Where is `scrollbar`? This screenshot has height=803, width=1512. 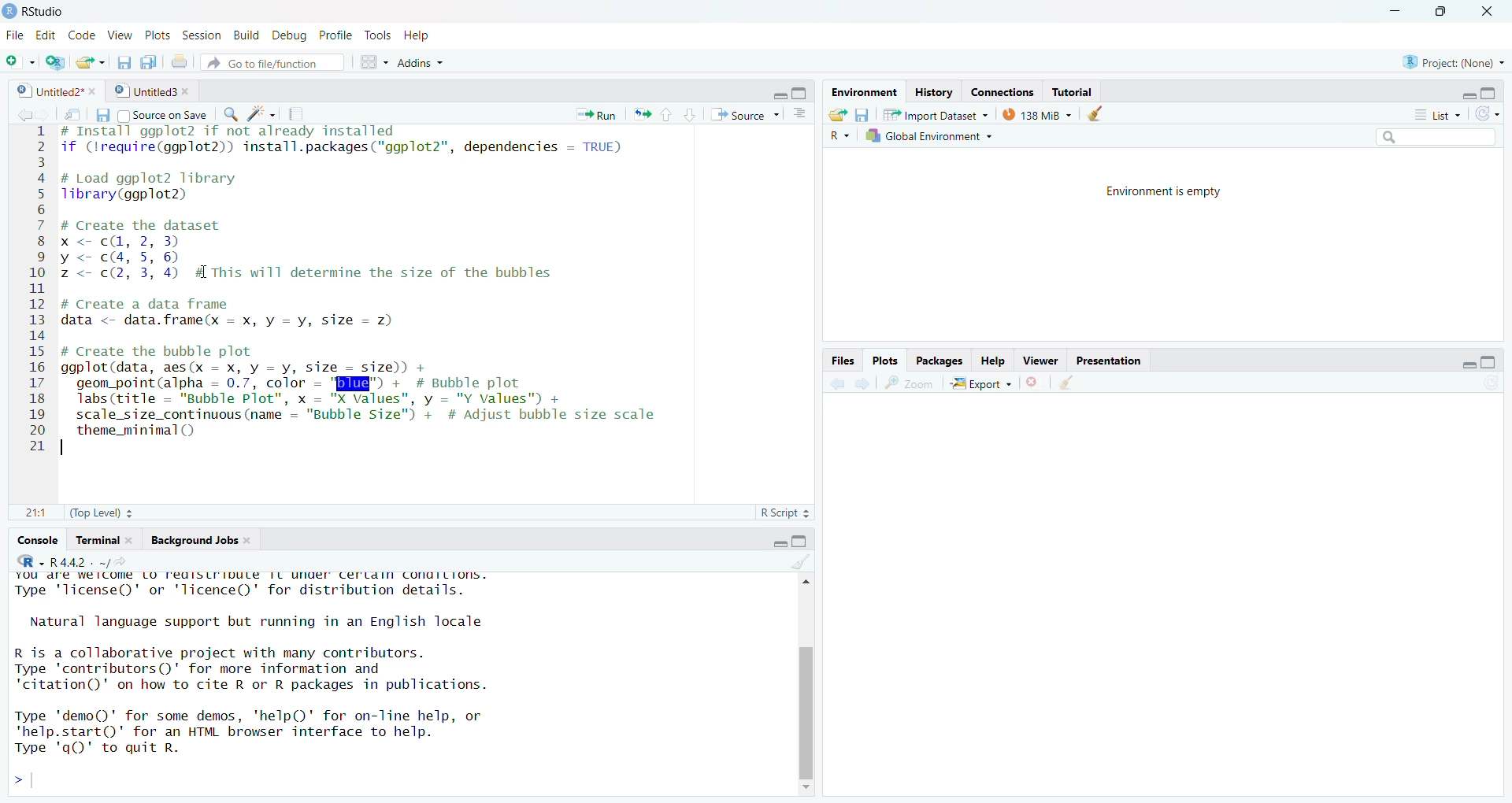 scrollbar is located at coordinates (800, 683).